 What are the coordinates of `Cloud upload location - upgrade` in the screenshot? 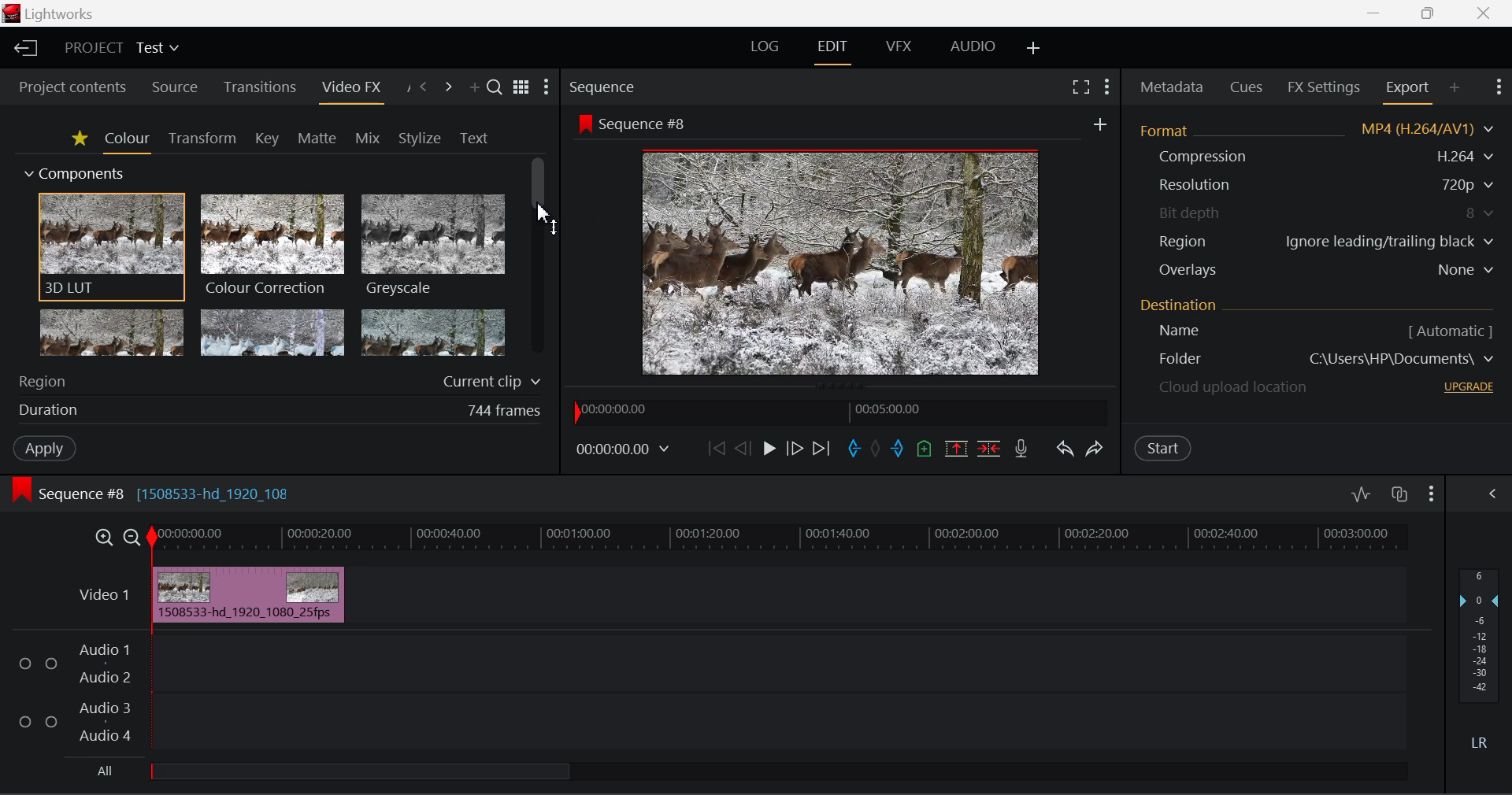 It's located at (1234, 390).